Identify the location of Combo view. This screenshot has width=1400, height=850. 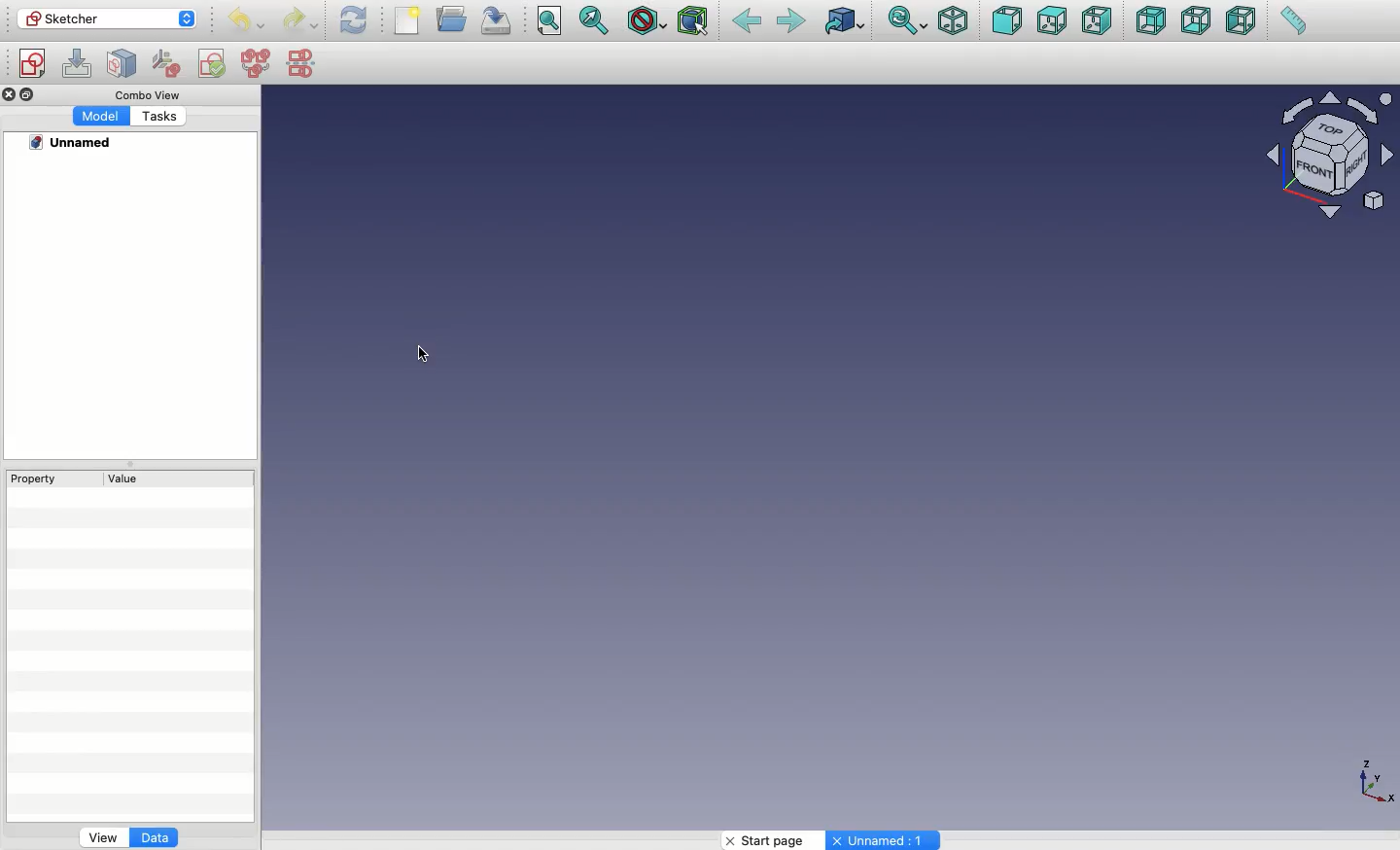
(147, 96).